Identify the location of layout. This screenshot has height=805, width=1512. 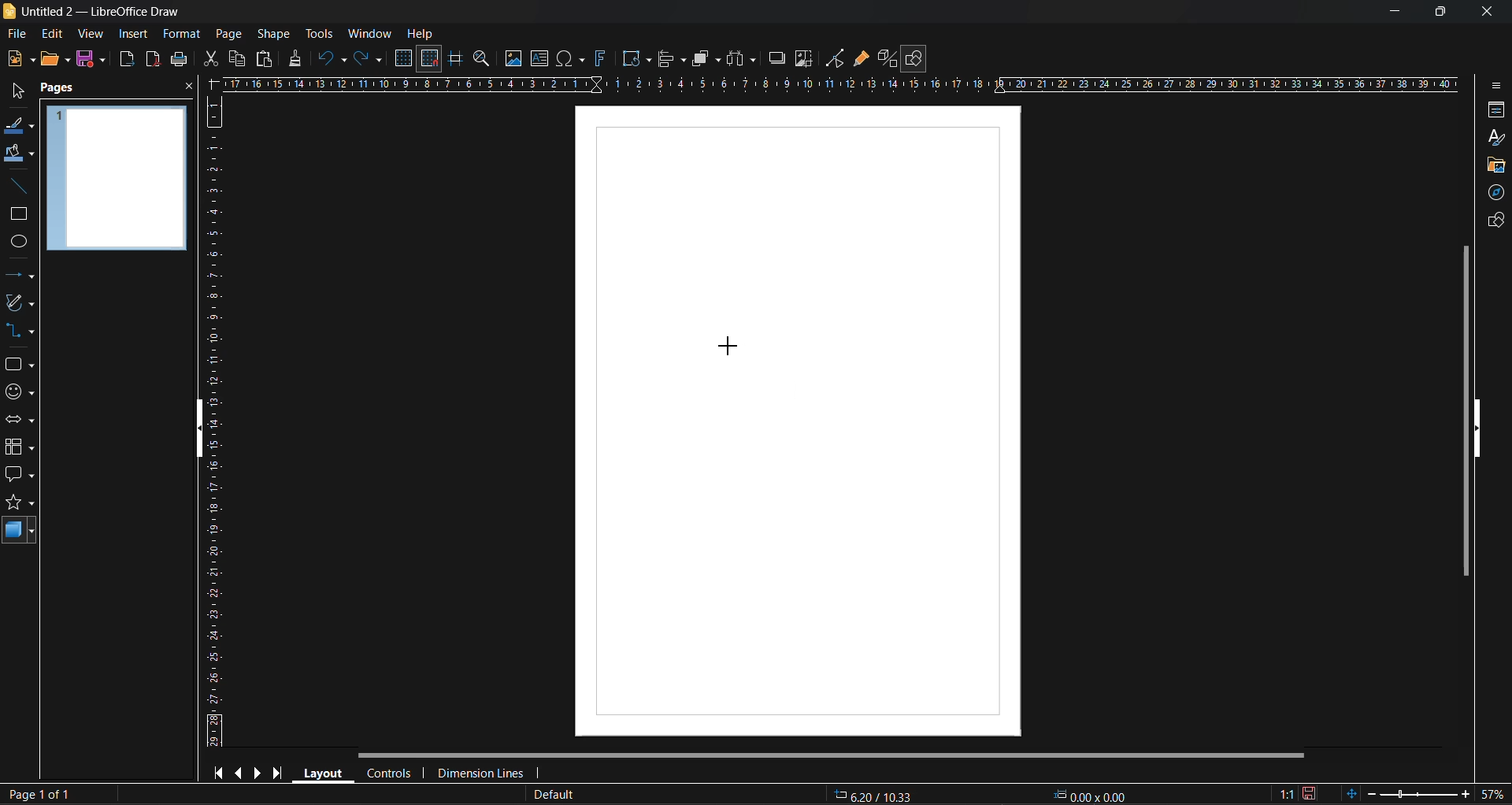
(325, 773).